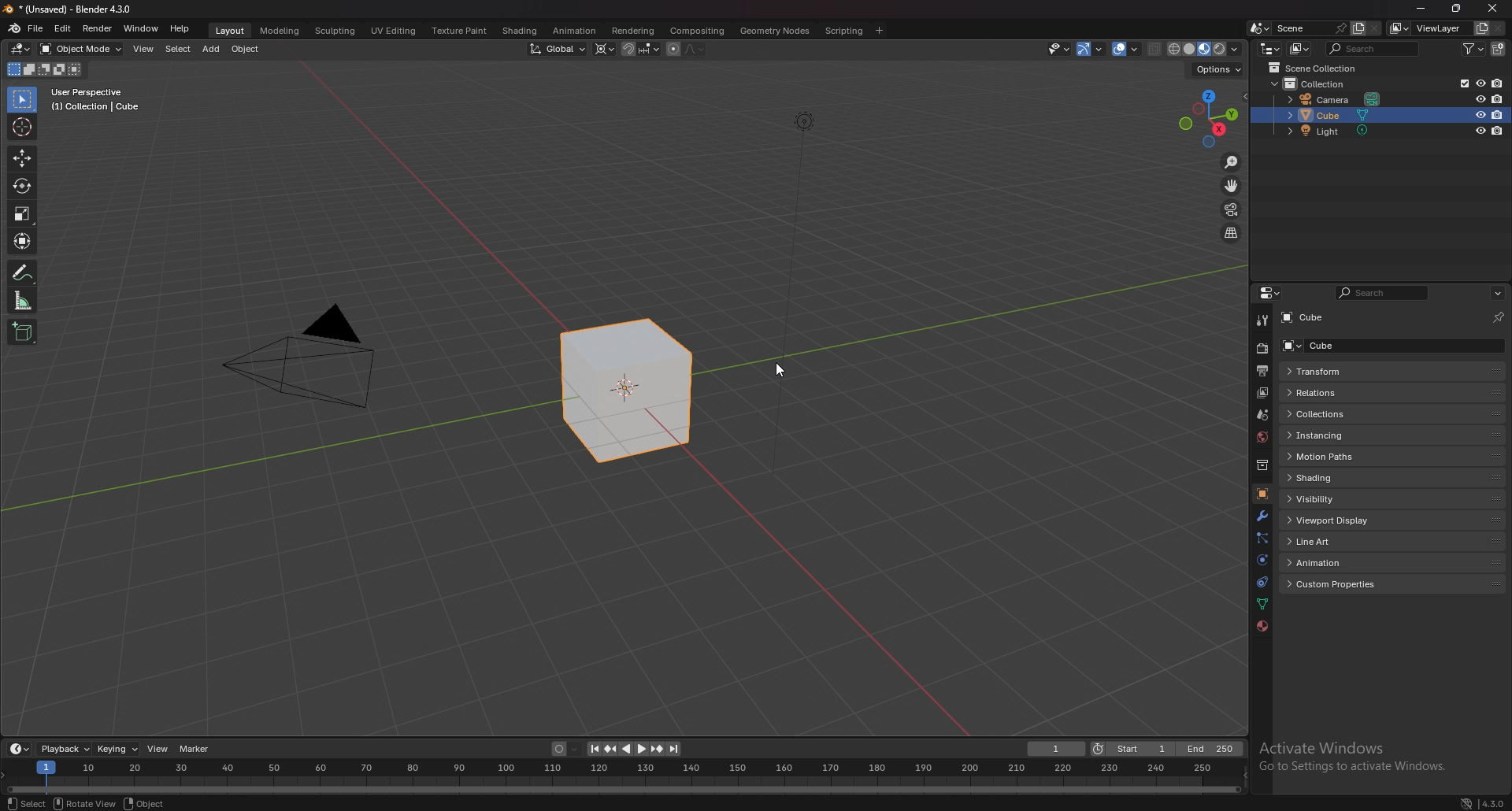 This screenshot has width=1512, height=811. I want to click on view layer, so click(1262, 393).